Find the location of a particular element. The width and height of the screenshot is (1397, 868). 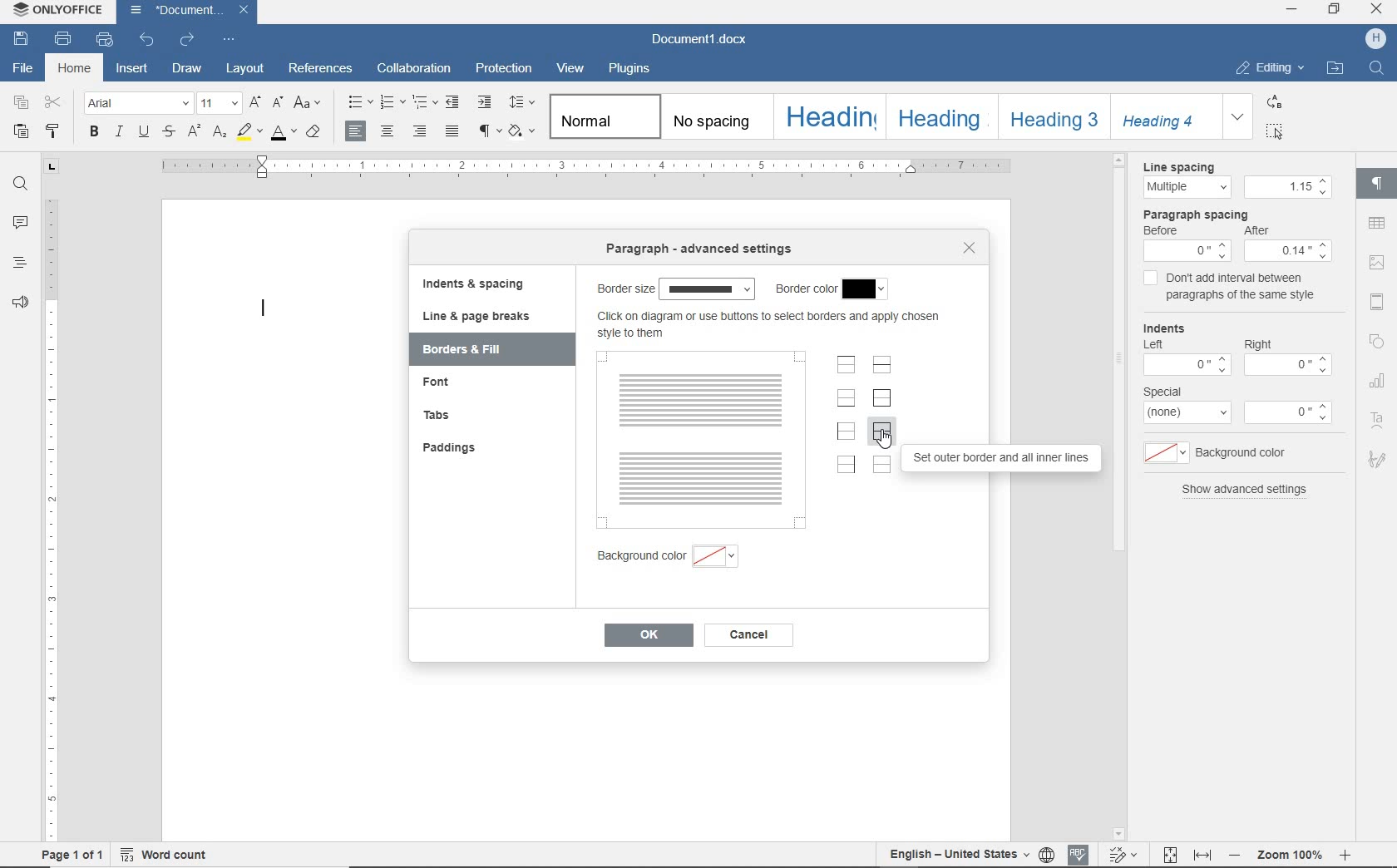

numbering is located at coordinates (392, 103).